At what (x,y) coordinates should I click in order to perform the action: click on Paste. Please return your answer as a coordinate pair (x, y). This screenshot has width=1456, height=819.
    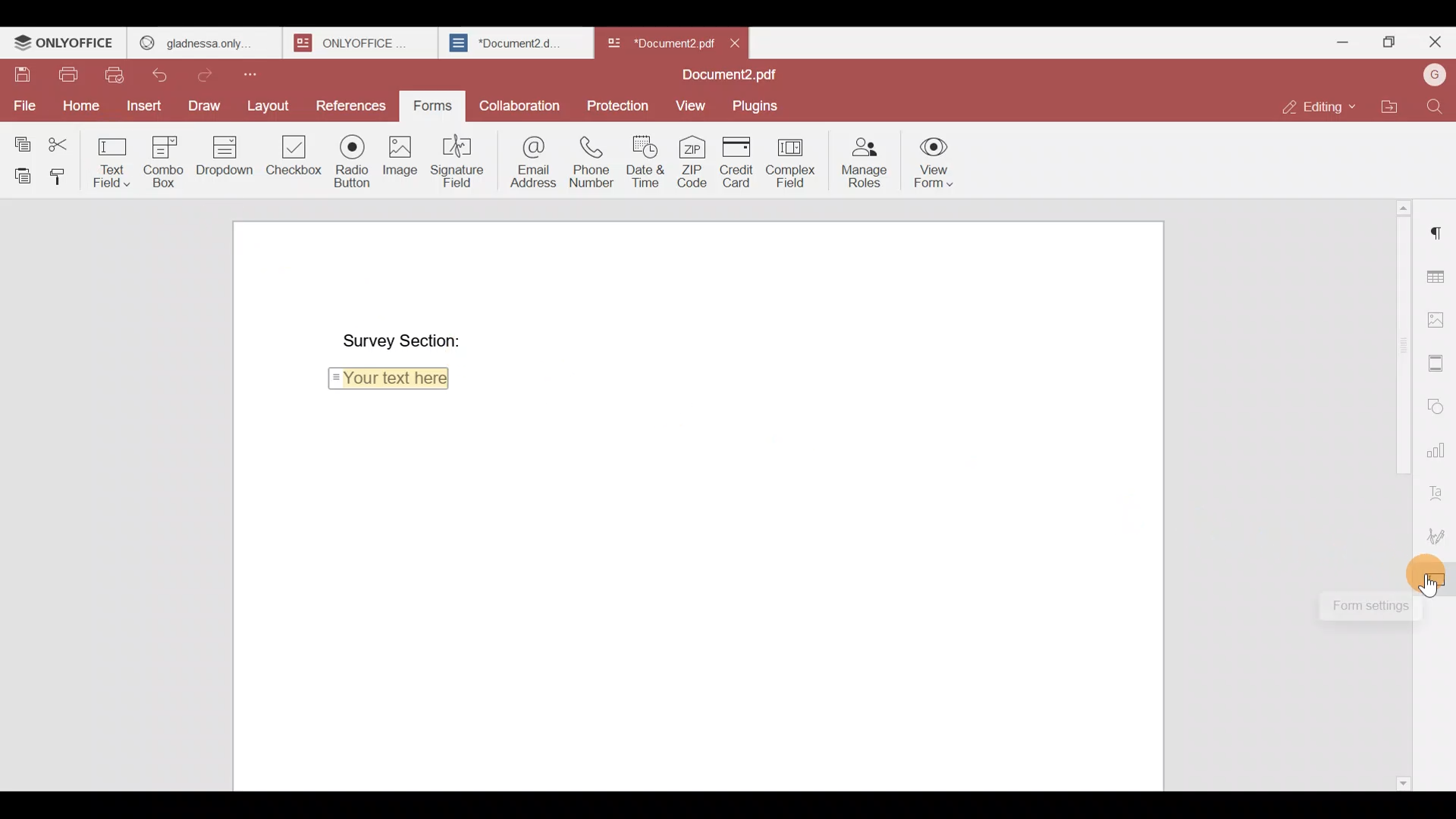
    Looking at the image, I should click on (18, 173).